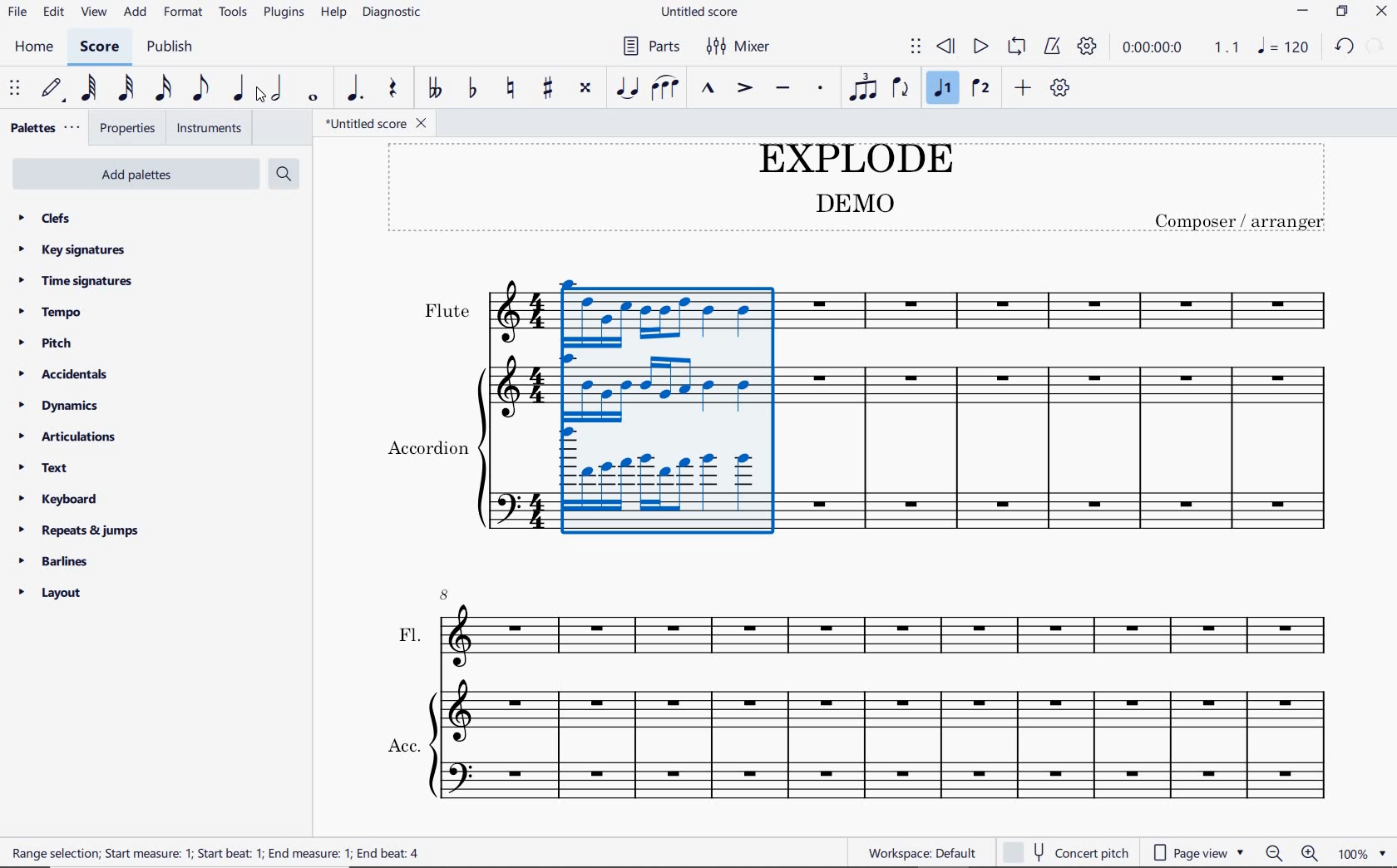 Image resolution: width=1397 pixels, height=868 pixels. What do you see at coordinates (58, 500) in the screenshot?
I see `keyboard` at bounding box center [58, 500].